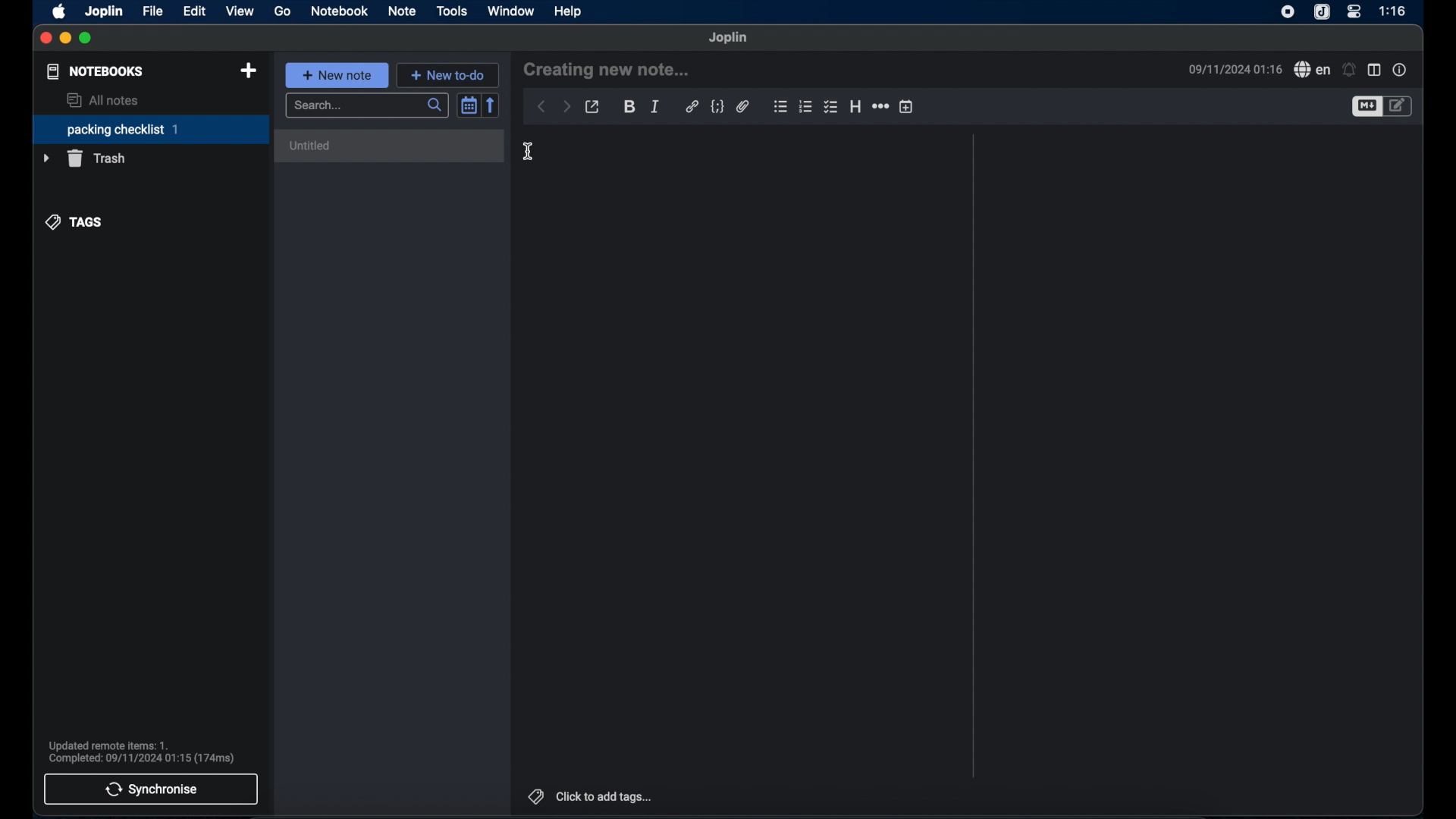 The image size is (1456, 819). I want to click on new notebook, so click(248, 71).